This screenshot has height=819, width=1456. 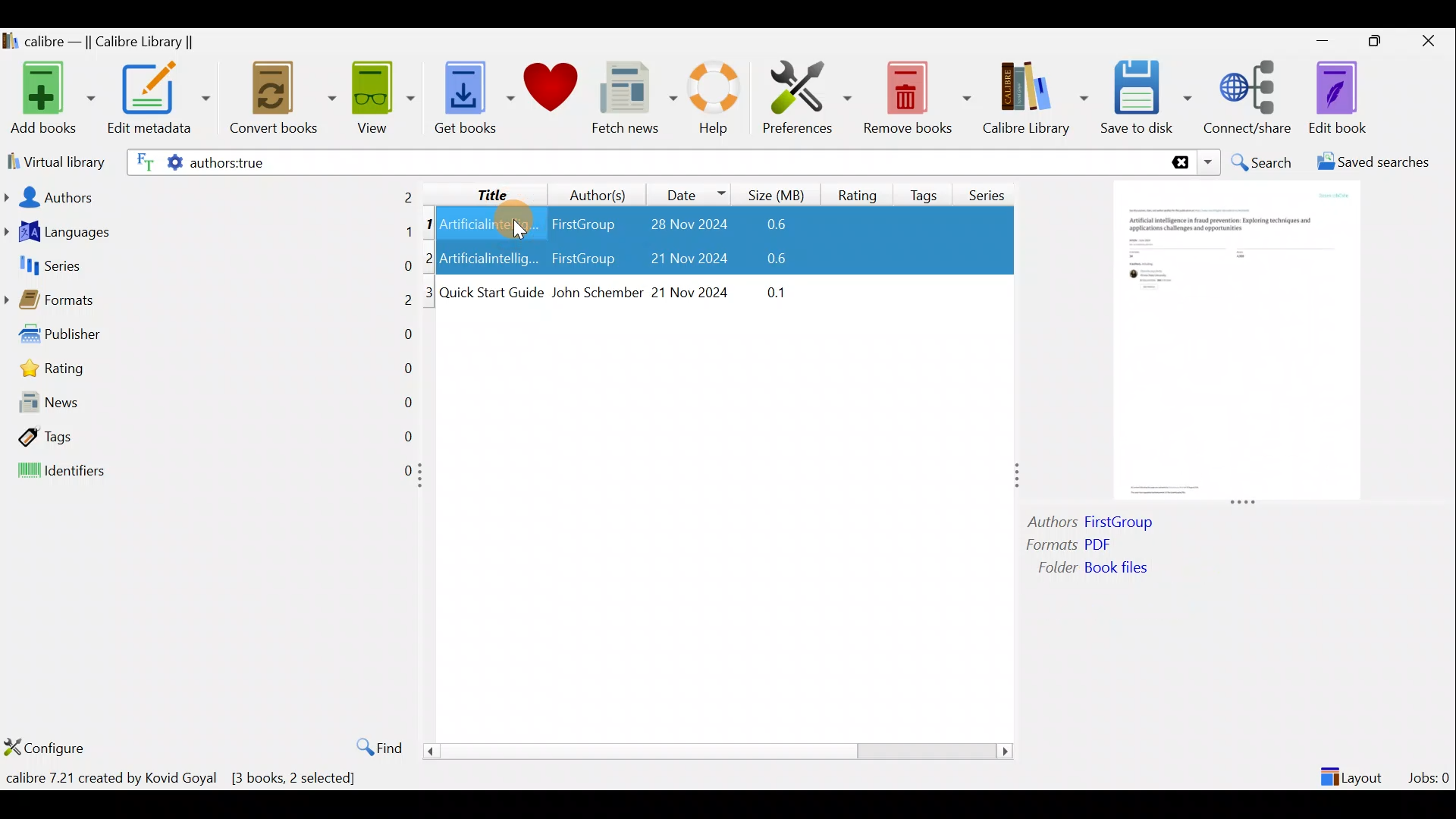 I want to click on Search dropdown, so click(x=1210, y=162).